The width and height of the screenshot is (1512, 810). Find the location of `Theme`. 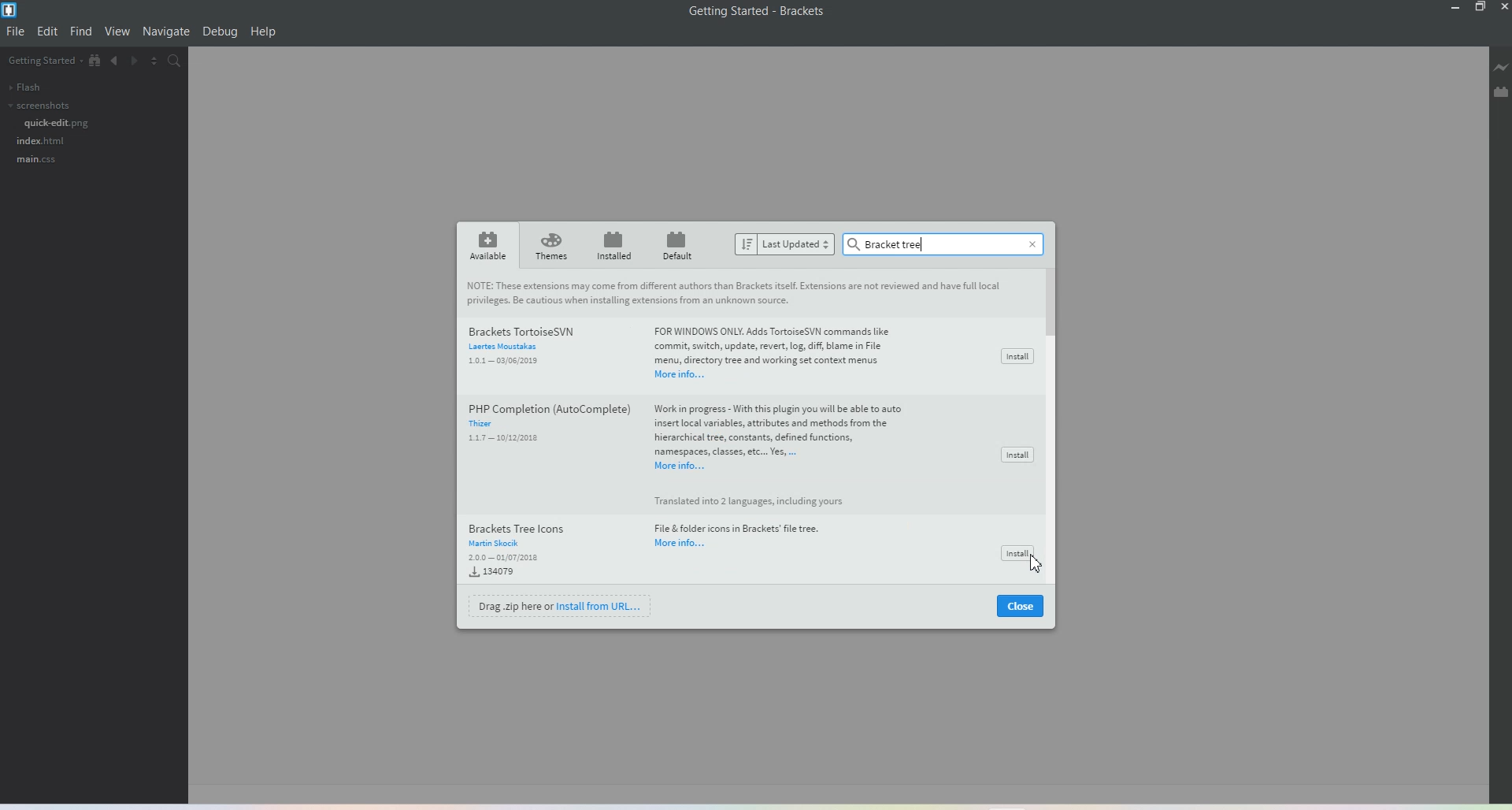

Theme is located at coordinates (552, 246).